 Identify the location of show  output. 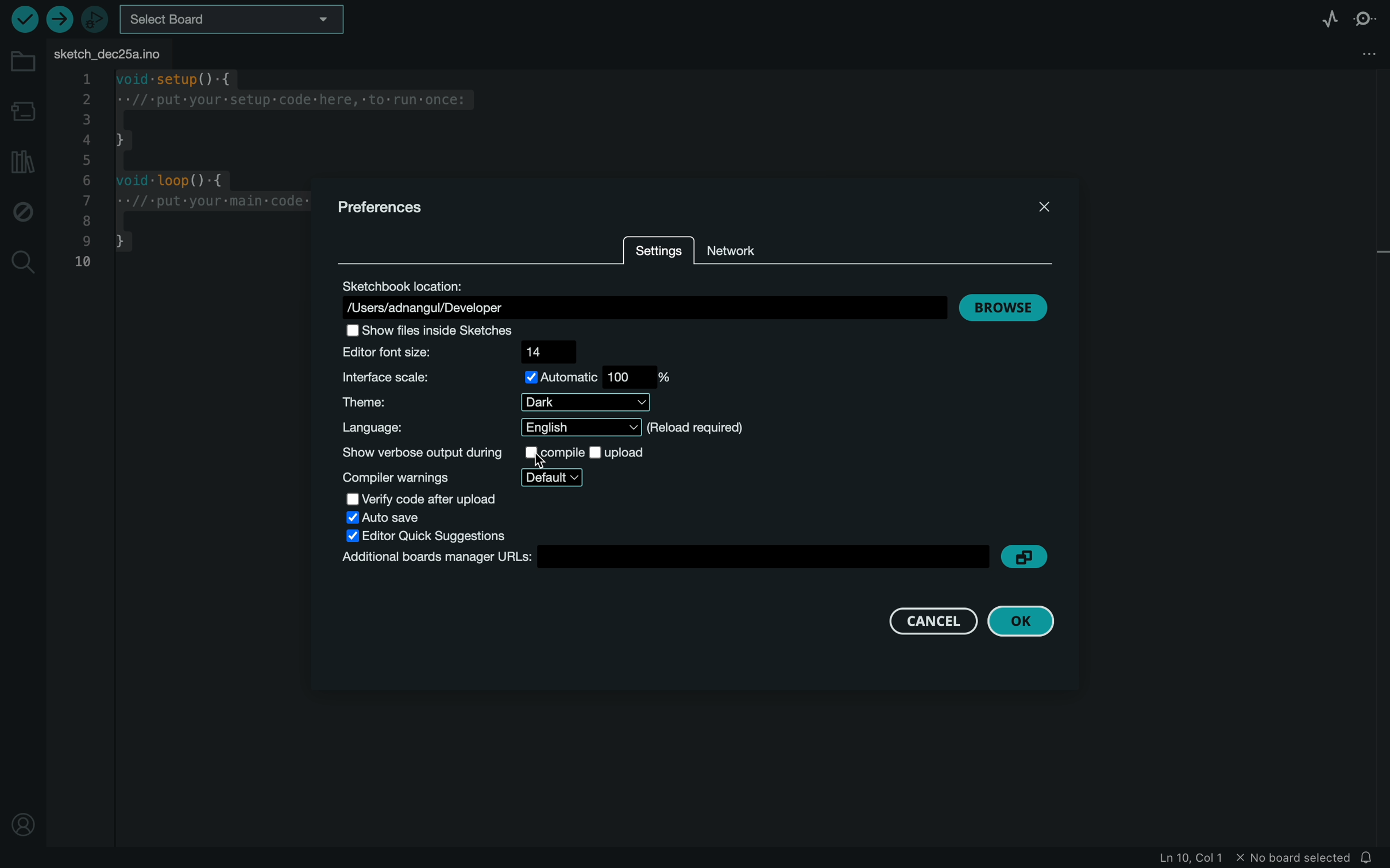
(496, 450).